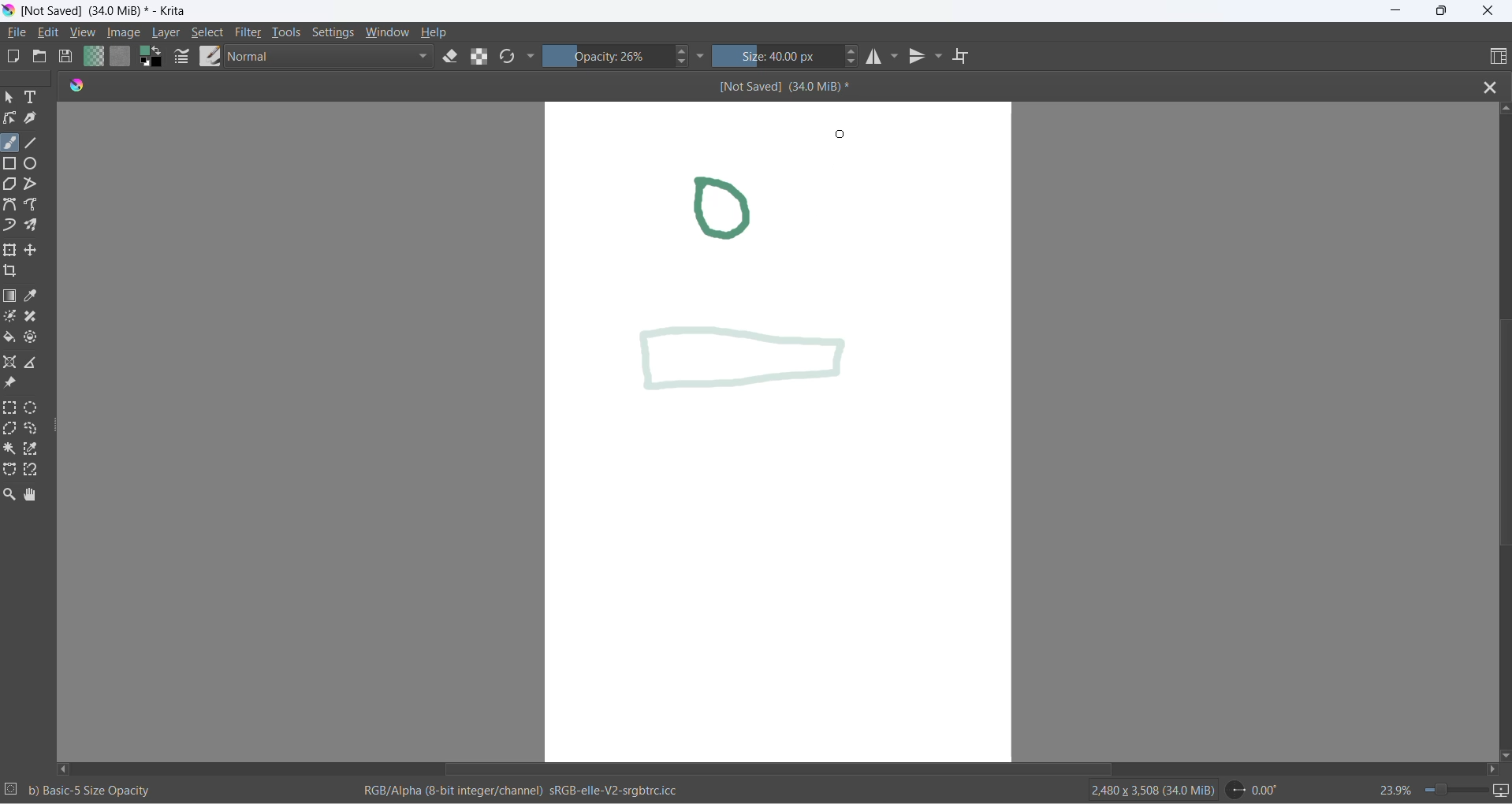  I want to click on size increase button, so click(855, 52).